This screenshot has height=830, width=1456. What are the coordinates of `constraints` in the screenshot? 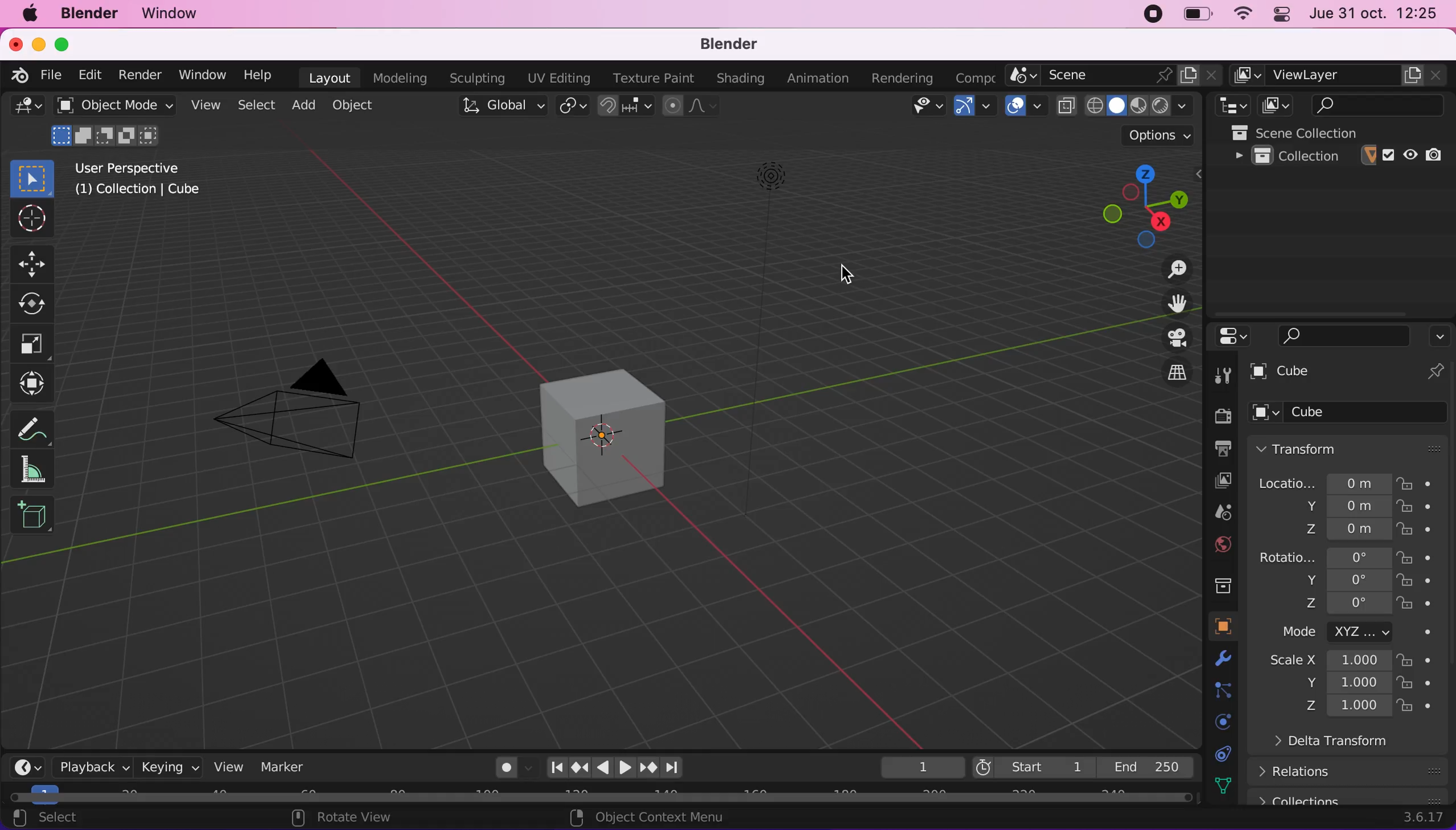 It's located at (1220, 753).